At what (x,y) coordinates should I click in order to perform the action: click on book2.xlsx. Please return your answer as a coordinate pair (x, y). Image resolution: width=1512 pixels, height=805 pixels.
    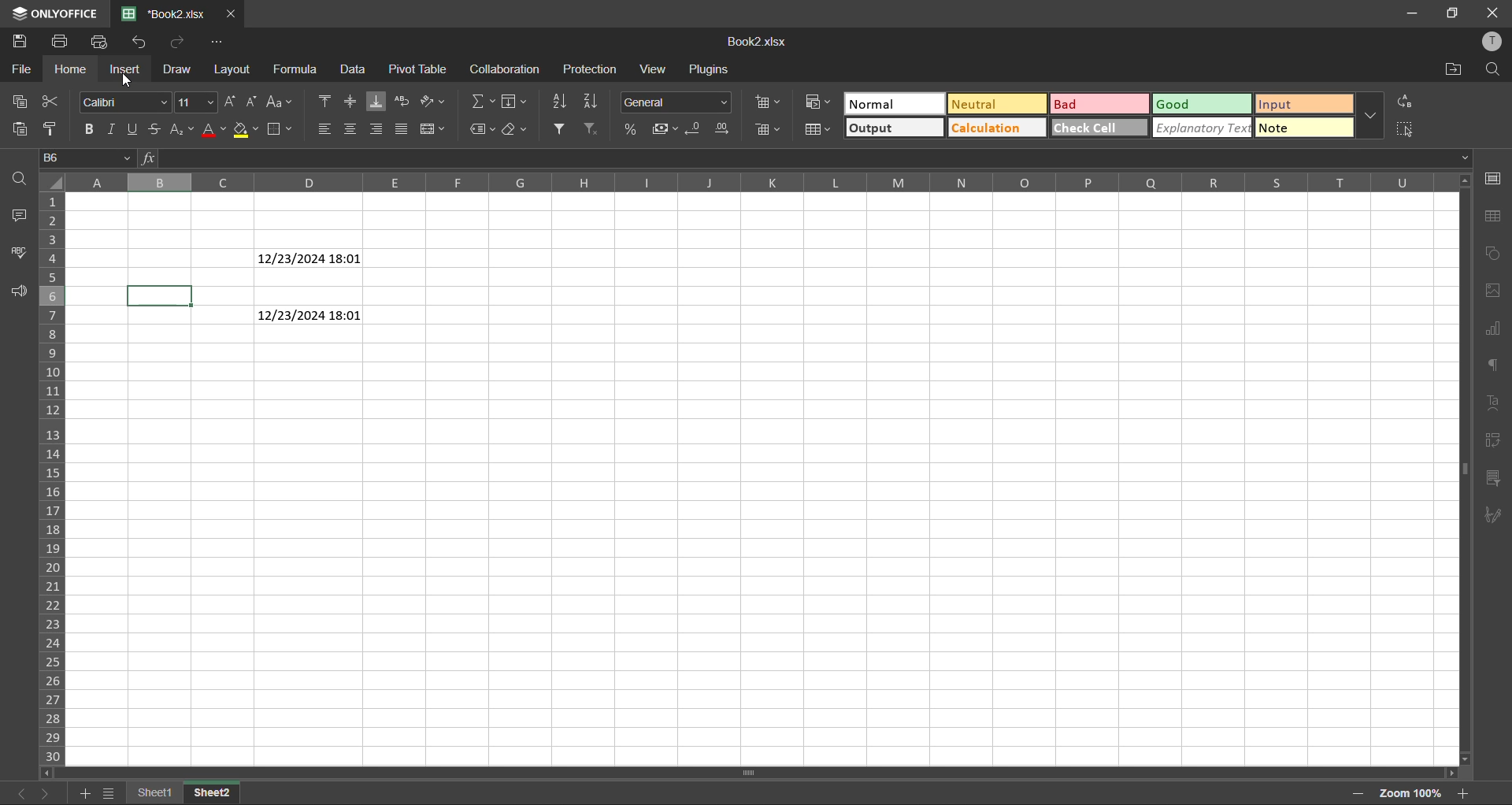
    Looking at the image, I should click on (756, 46).